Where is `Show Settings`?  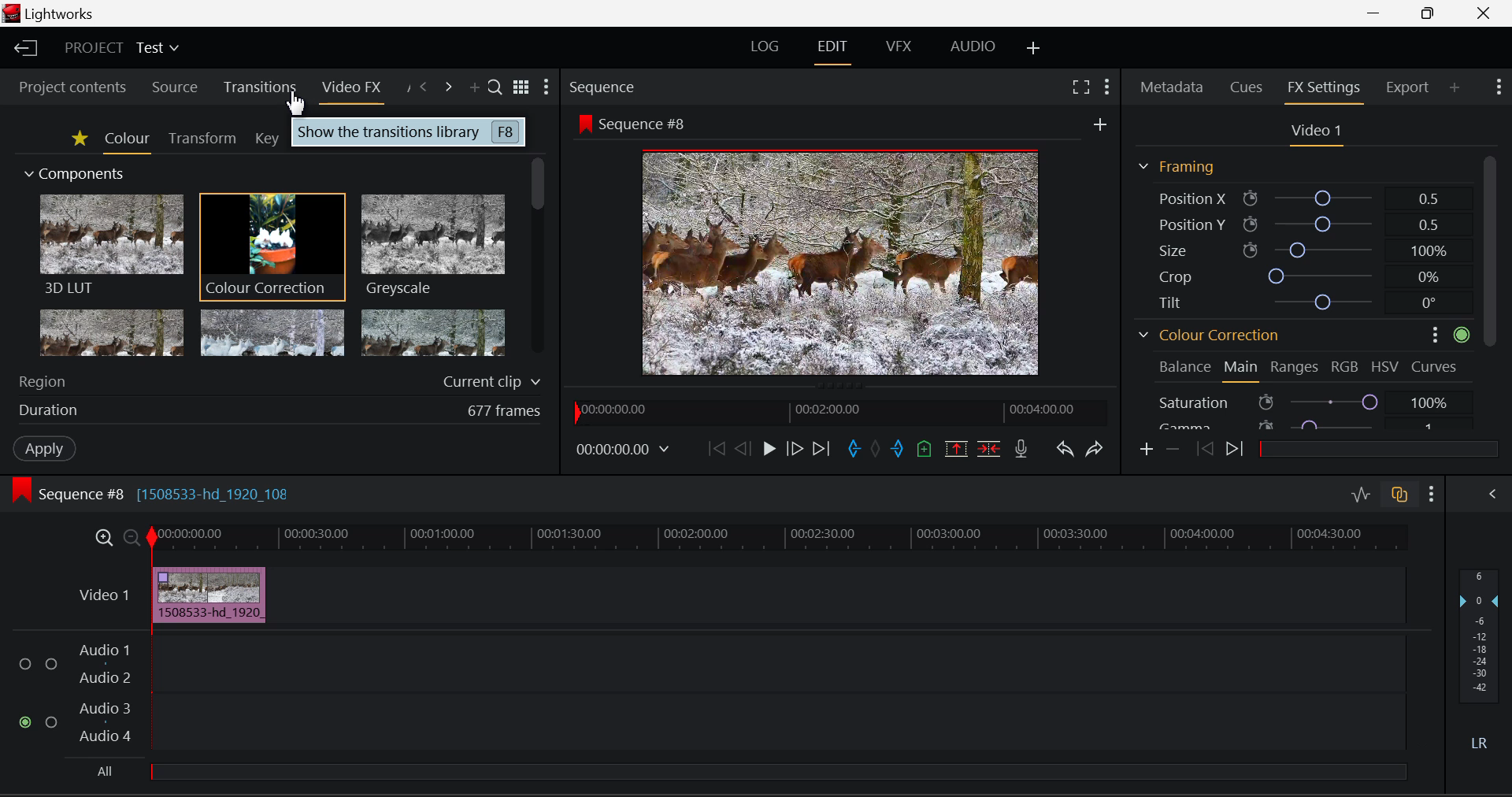
Show Settings is located at coordinates (1501, 87).